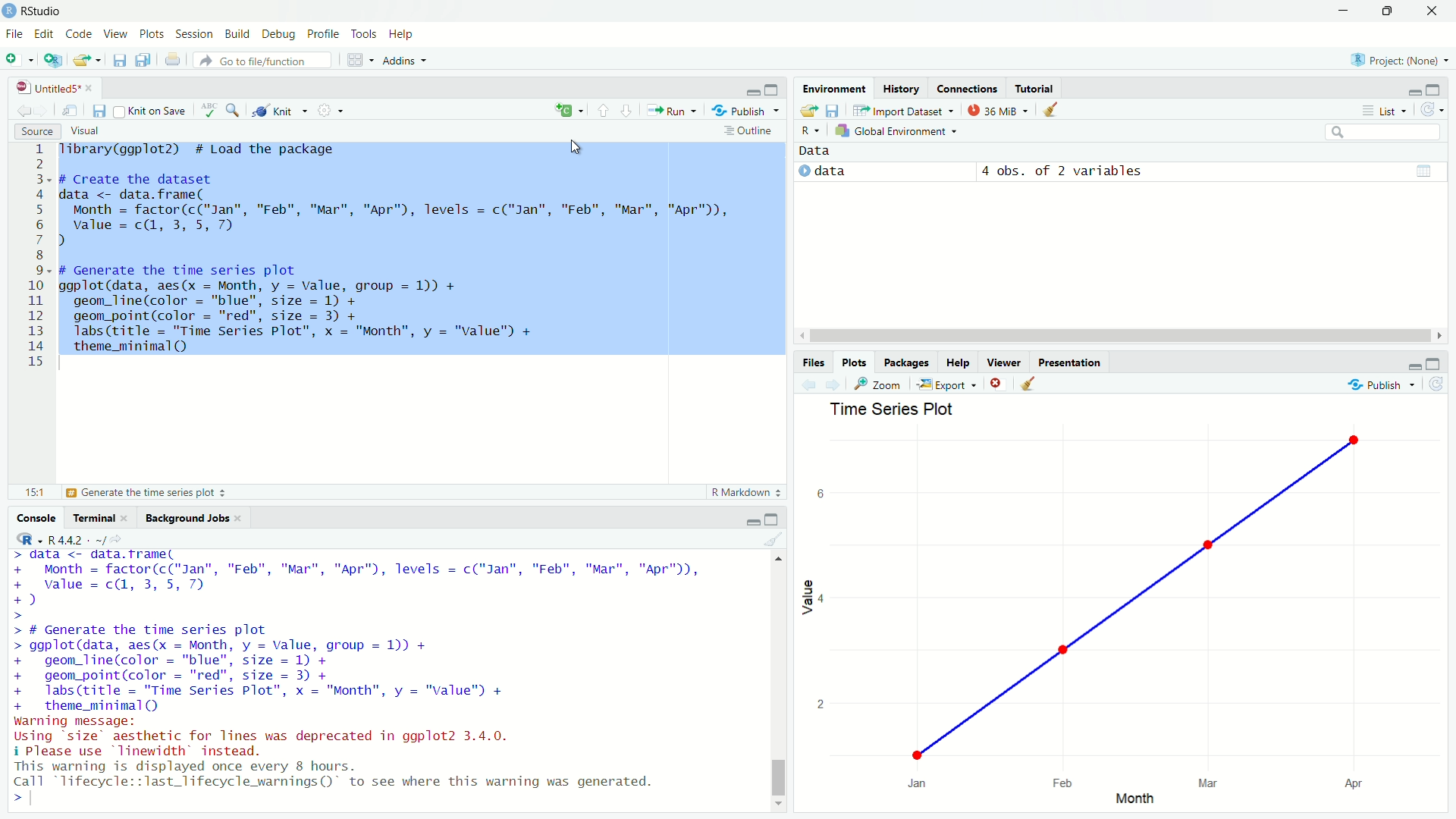  Describe the element at coordinates (14, 613) in the screenshot. I see `prompt cursor` at that location.